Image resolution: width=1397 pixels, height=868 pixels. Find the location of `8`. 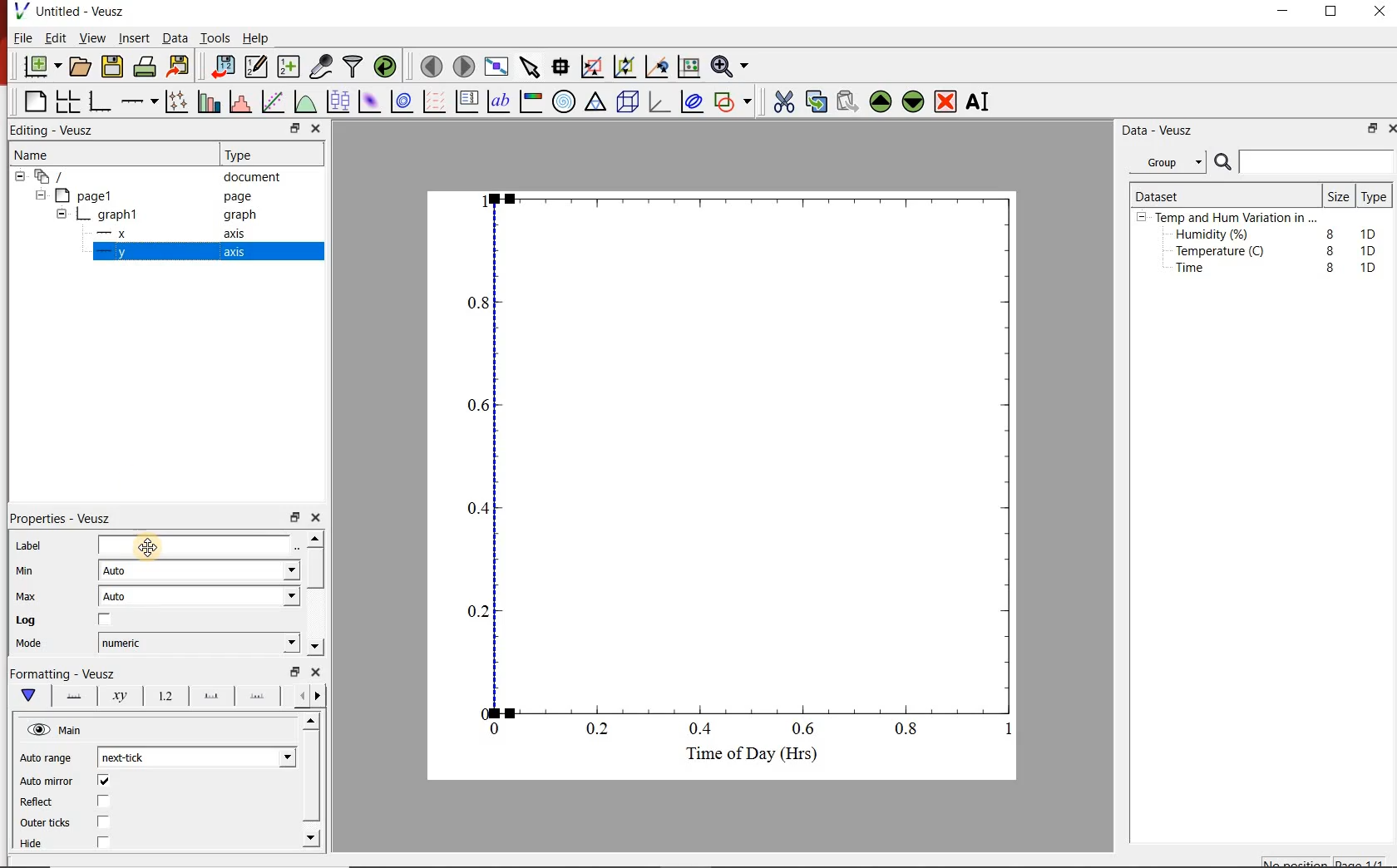

8 is located at coordinates (1327, 249).